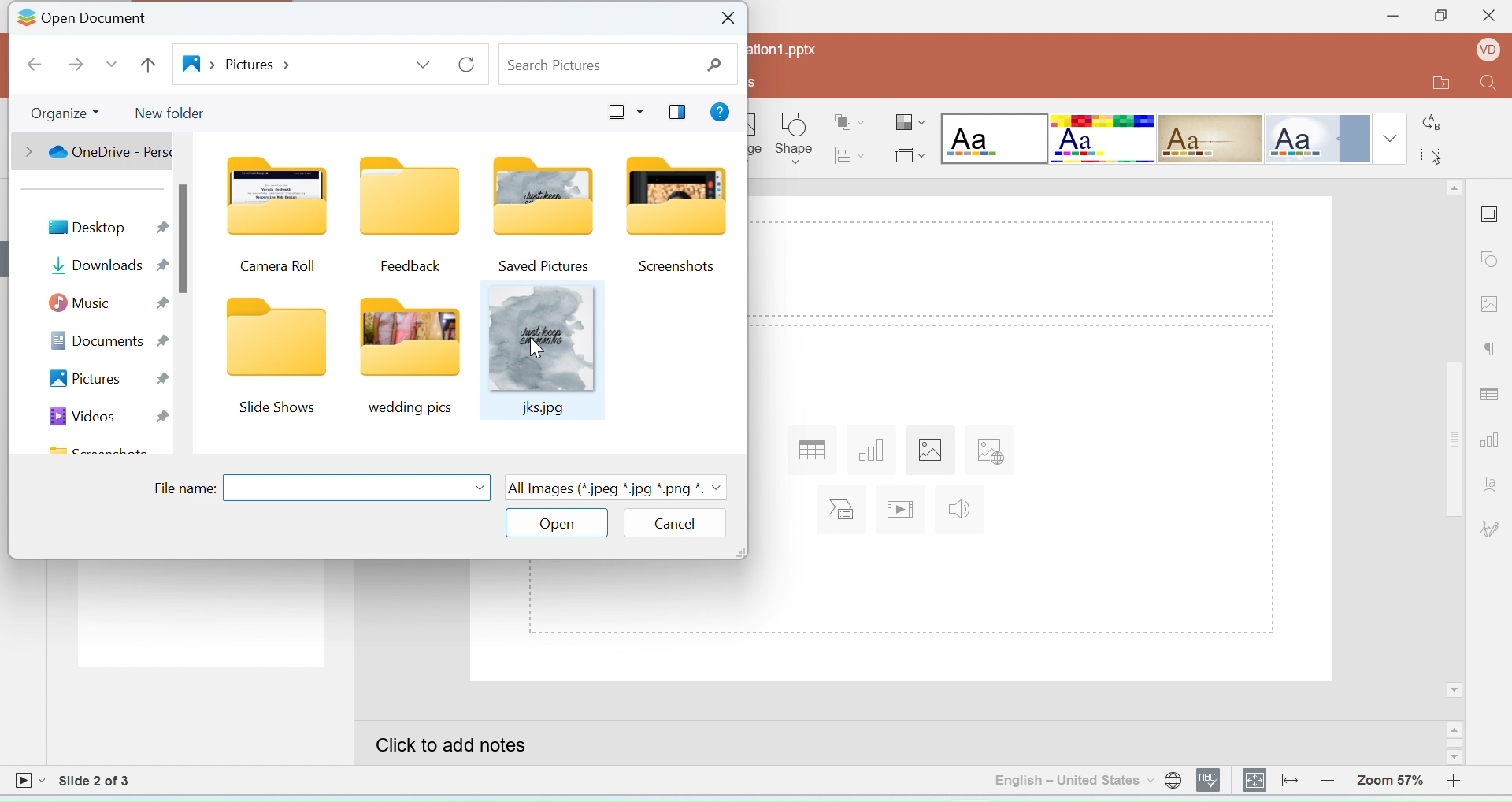 The height and width of the screenshot is (802, 1512). Describe the element at coordinates (421, 66) in the screenshot. I see `previous location` at that location.